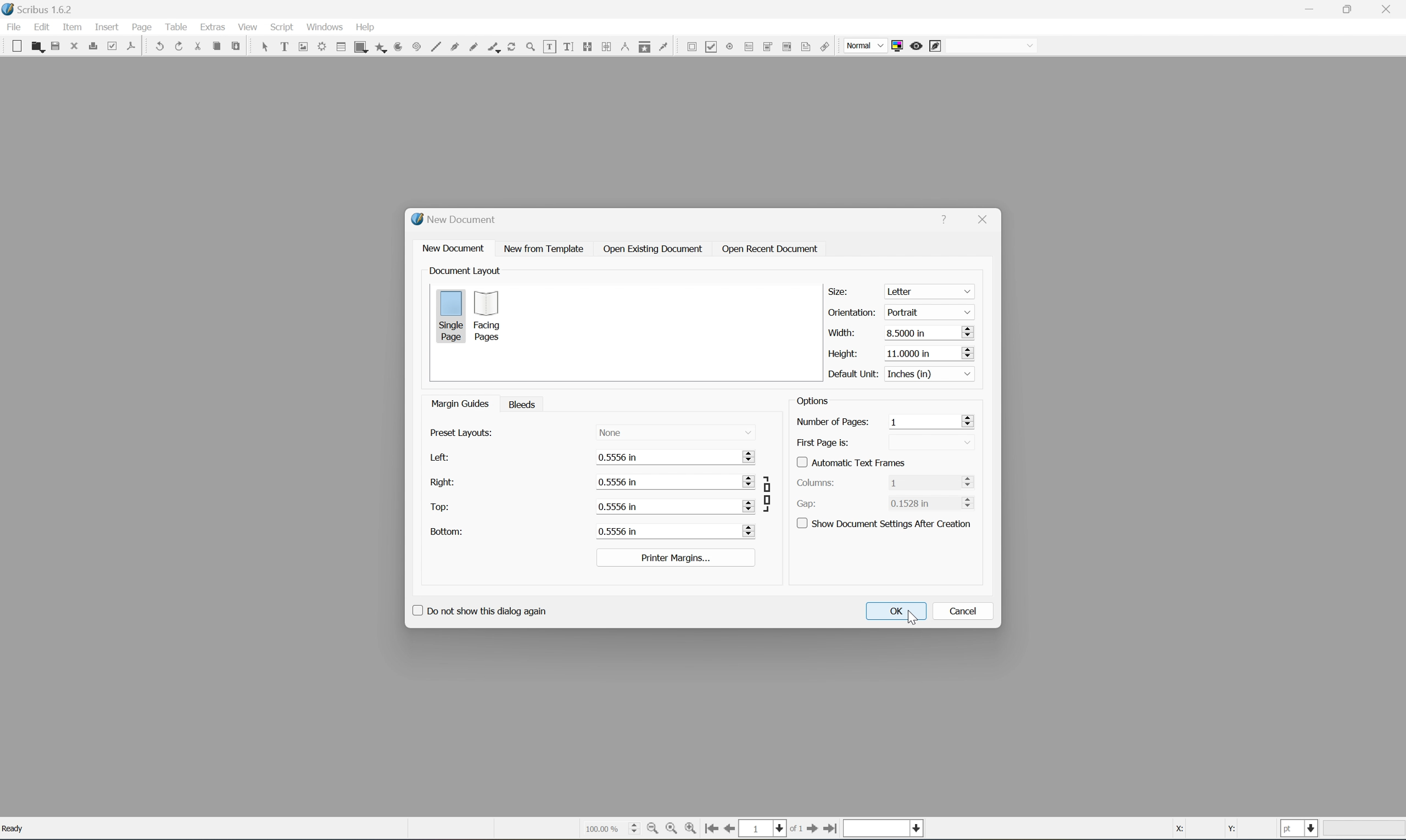 The width and height of the screenshot is (1406, 840). I want to click on help, so click(367, 28).